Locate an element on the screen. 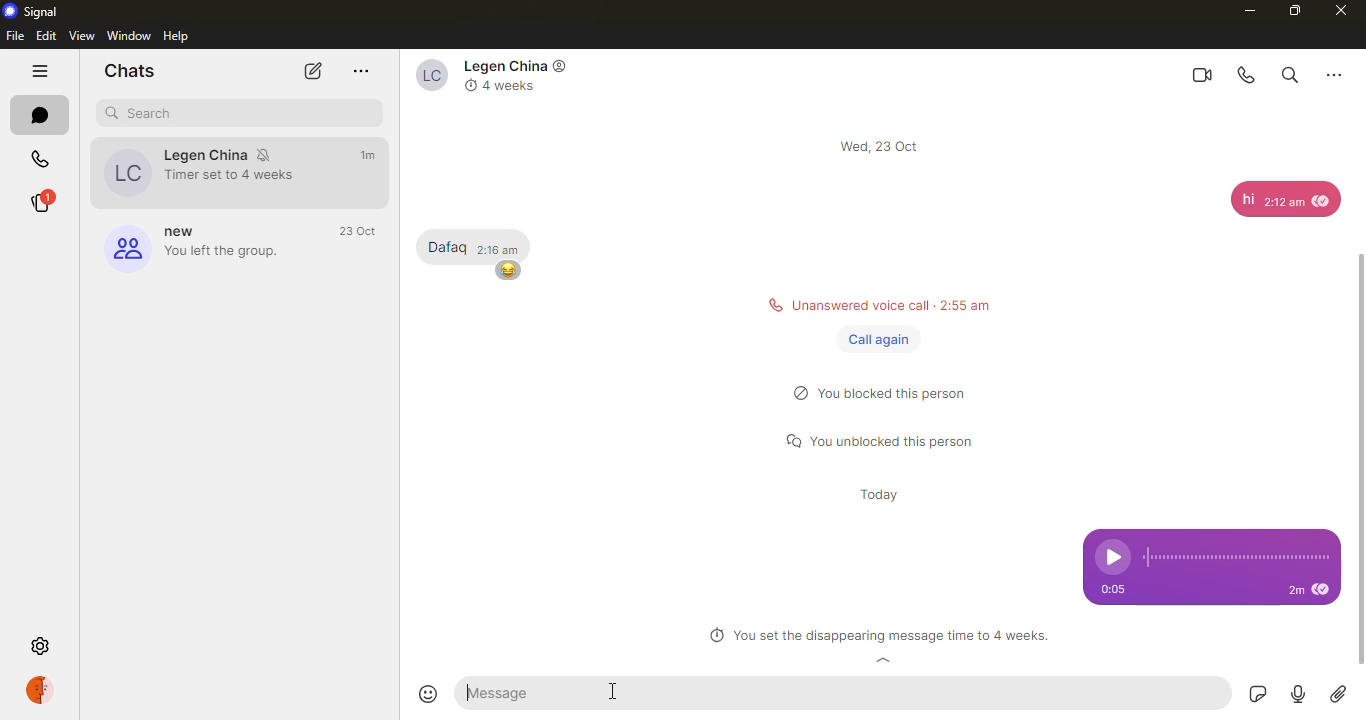 This screenshot has height=720, width=1366. 0:05 is located at coordinates (1120, 590).